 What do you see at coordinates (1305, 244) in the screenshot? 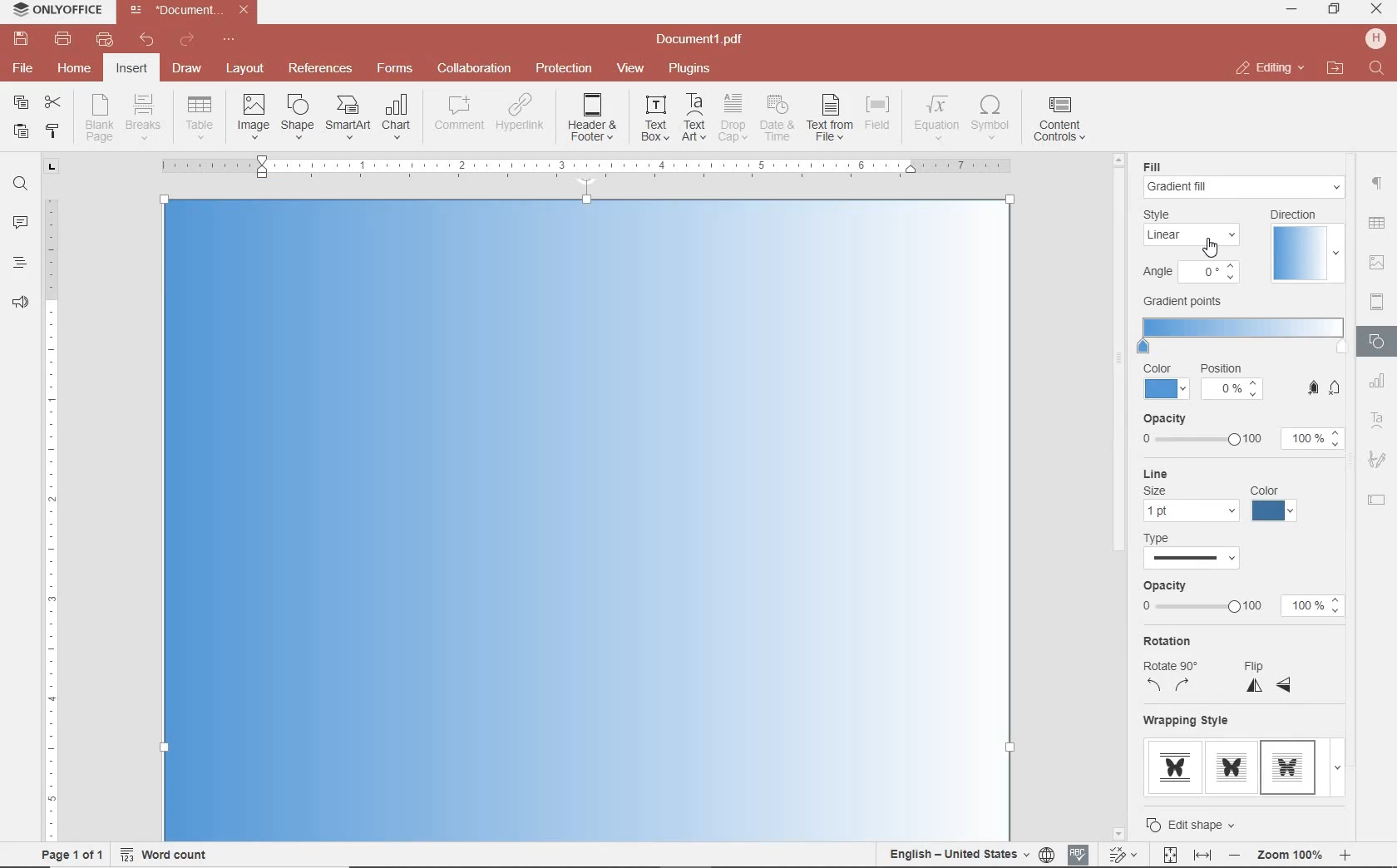
I see `DIRECTION` at bounding box center [1305, 244].